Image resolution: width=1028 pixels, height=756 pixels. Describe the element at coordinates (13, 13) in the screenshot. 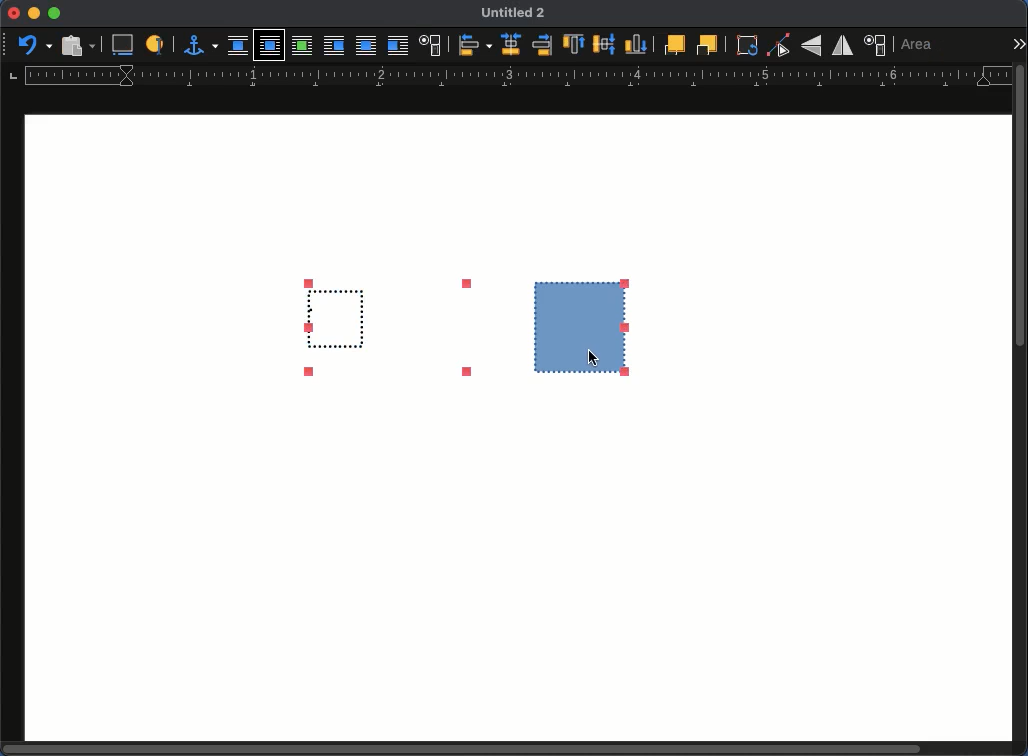

I see `close` at that location.